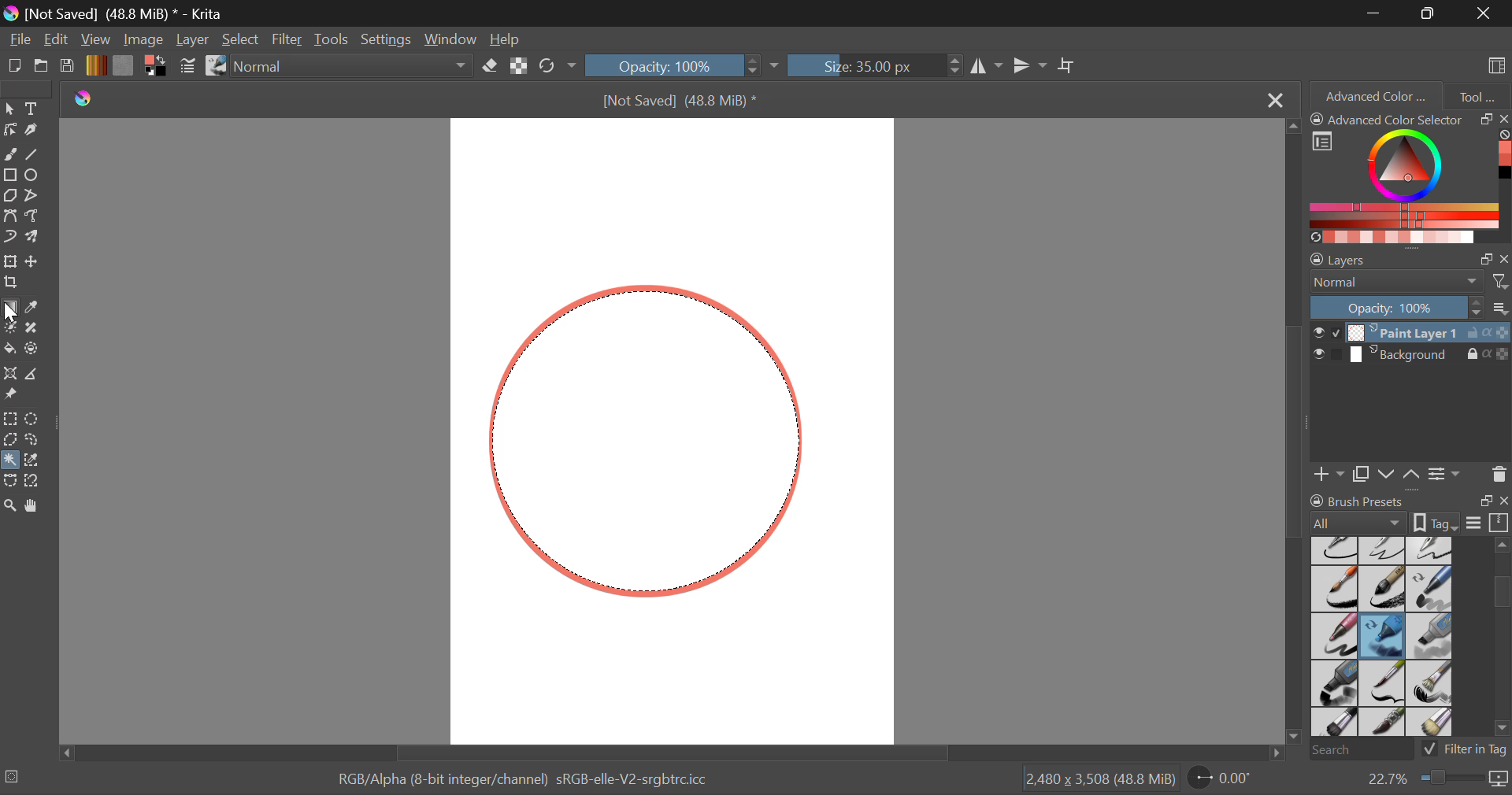 Image resolution: width=1512 pixels, height=795 pixels. I want to click on View, so click(98, 40).